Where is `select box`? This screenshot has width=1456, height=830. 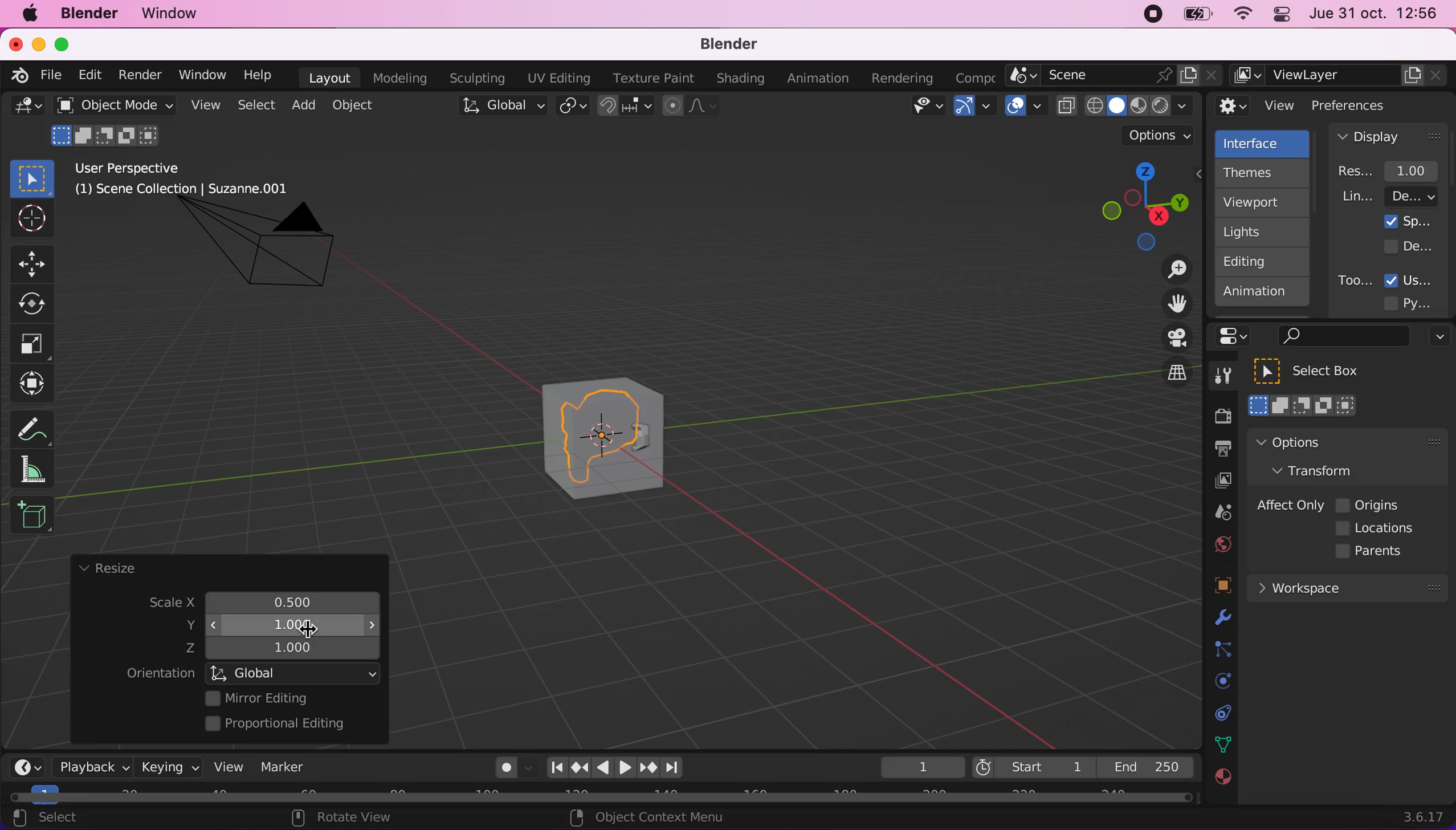 select box is located at coordinates (1321, 371).